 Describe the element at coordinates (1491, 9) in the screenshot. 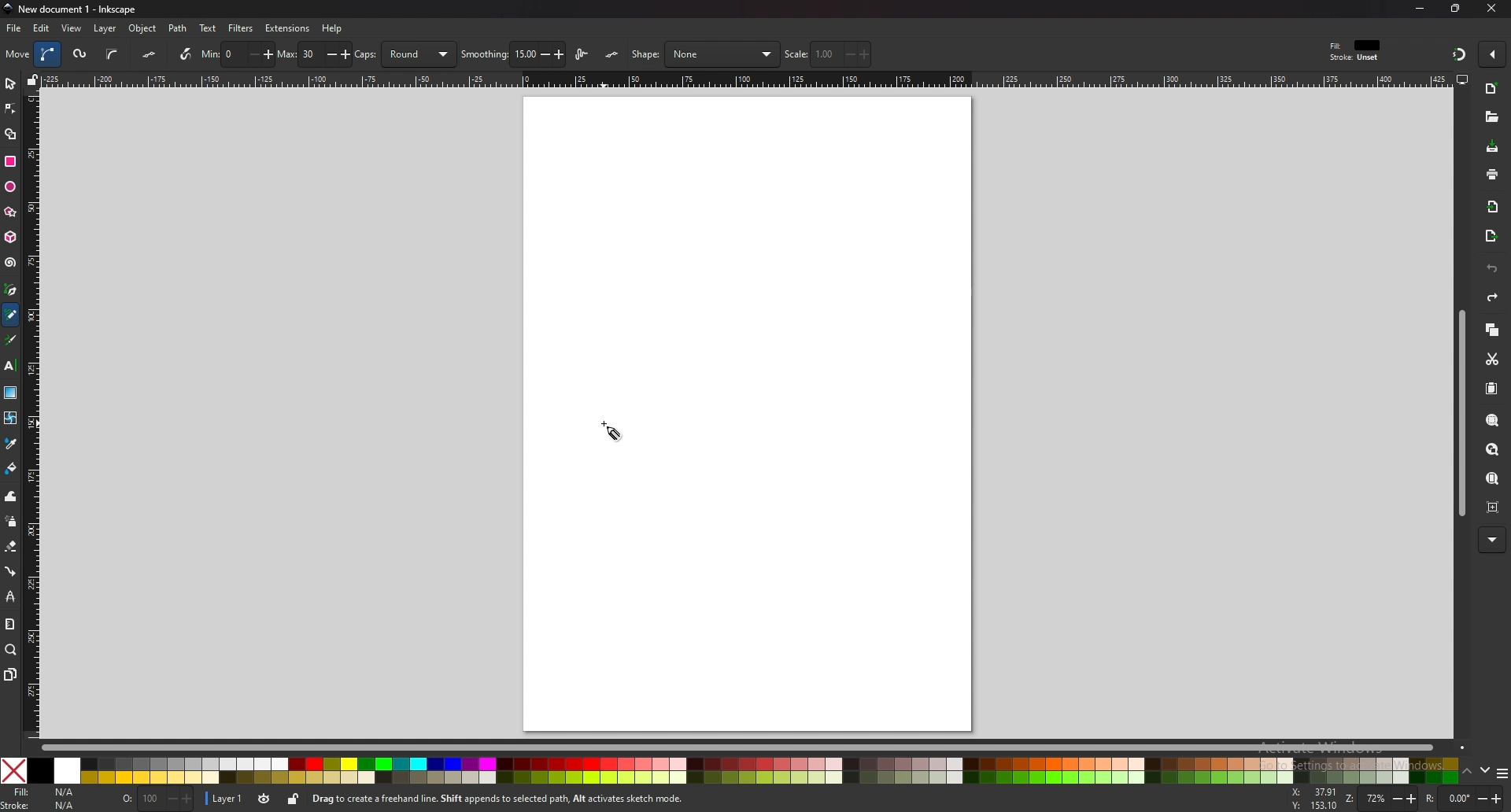

I see `close` at that location.